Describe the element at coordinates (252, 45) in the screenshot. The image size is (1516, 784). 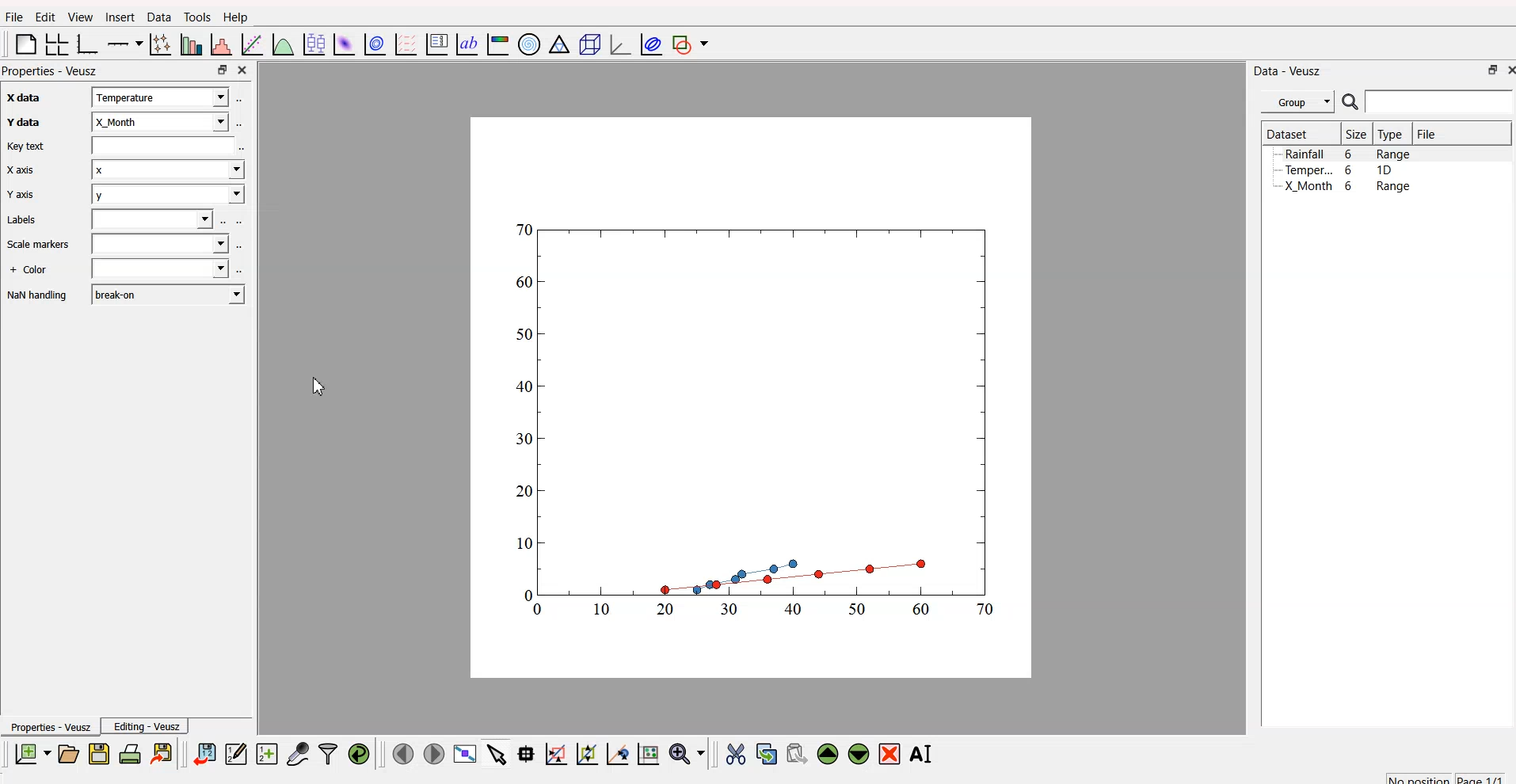
I see `fit function to data` at that location.